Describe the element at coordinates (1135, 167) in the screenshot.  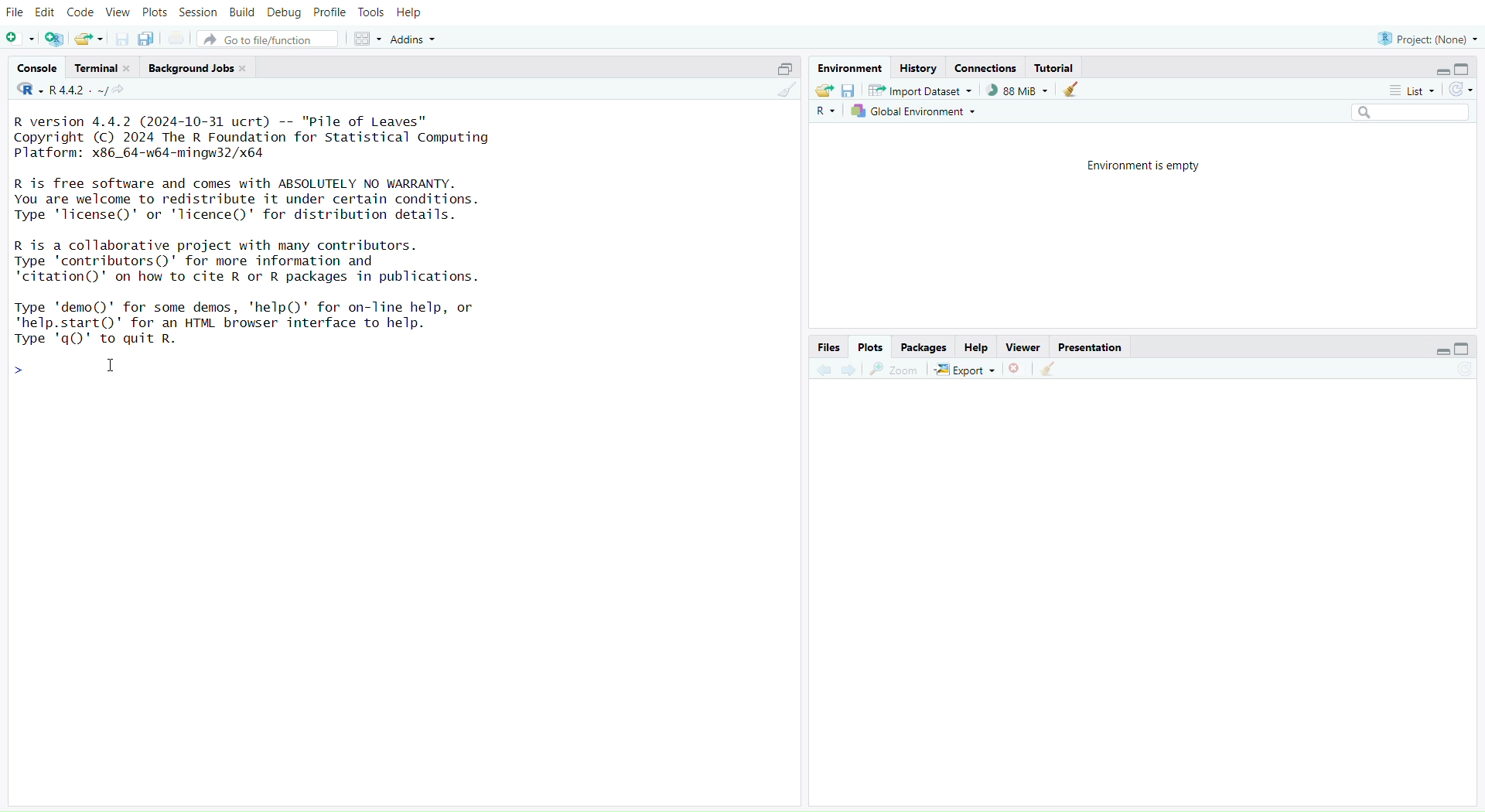
I see `environment is empty` at that location.